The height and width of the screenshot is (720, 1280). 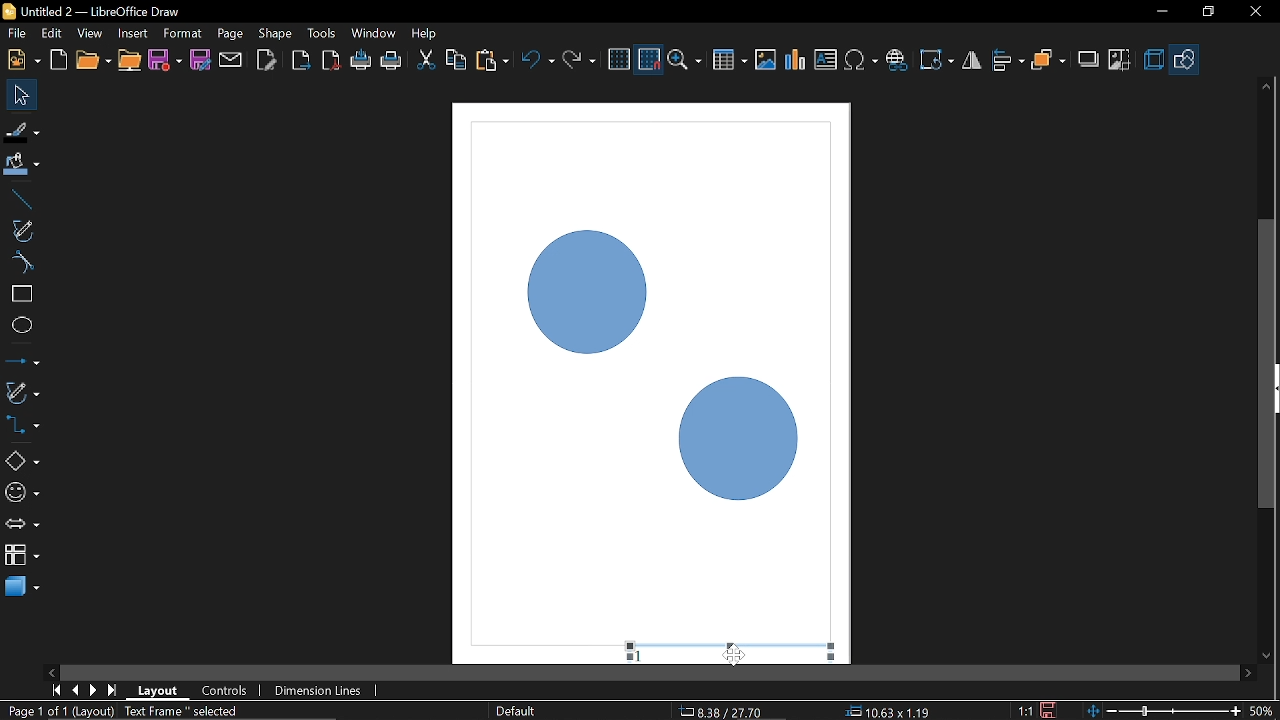 What do you see at coordinates (735, 657) in the screenshot?
I see `Cursor` at bounding box center [735, 657].